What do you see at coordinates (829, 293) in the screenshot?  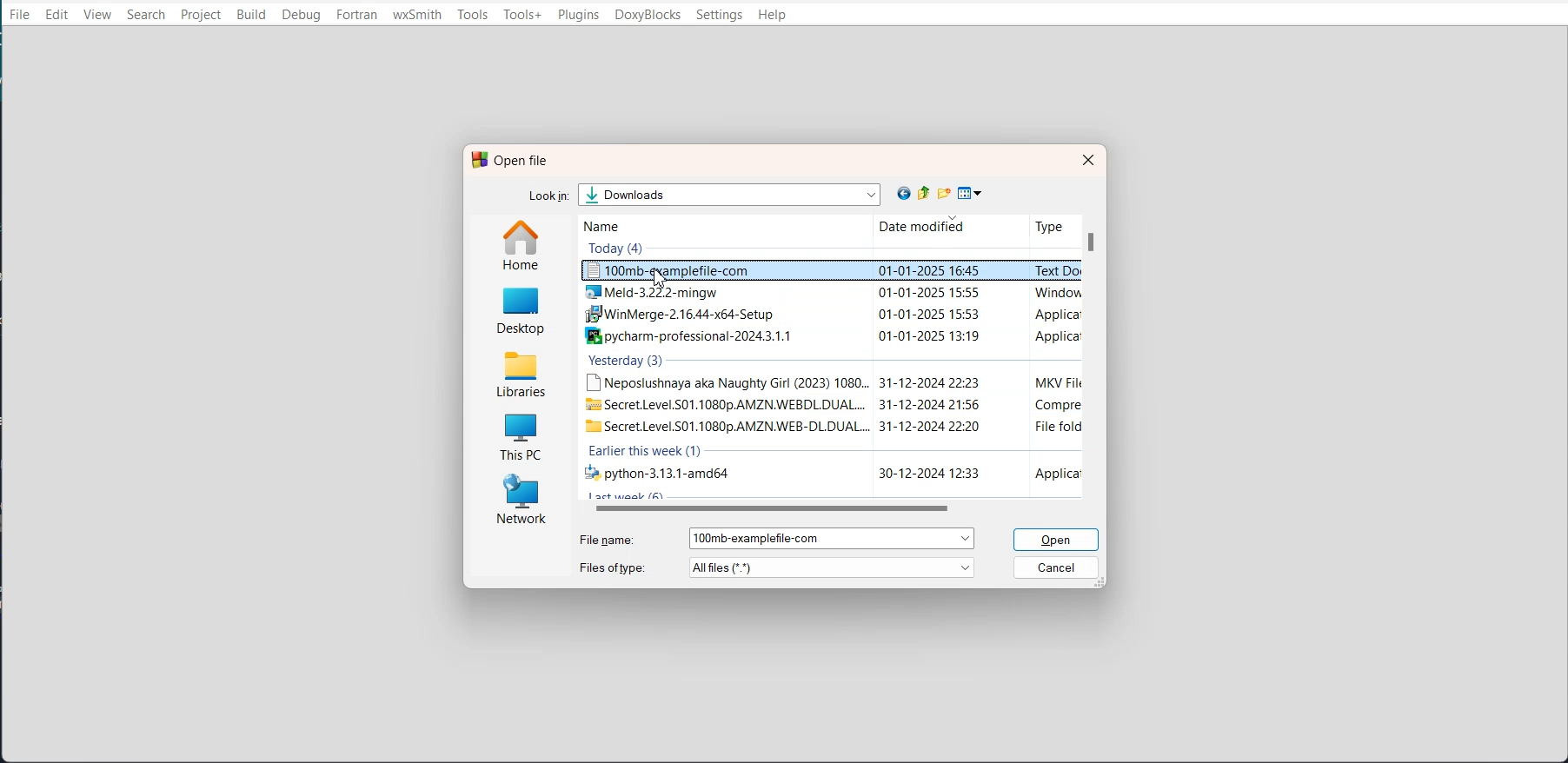 I see `meld-3.22.2-mingw` at bounding box center [829, 293].